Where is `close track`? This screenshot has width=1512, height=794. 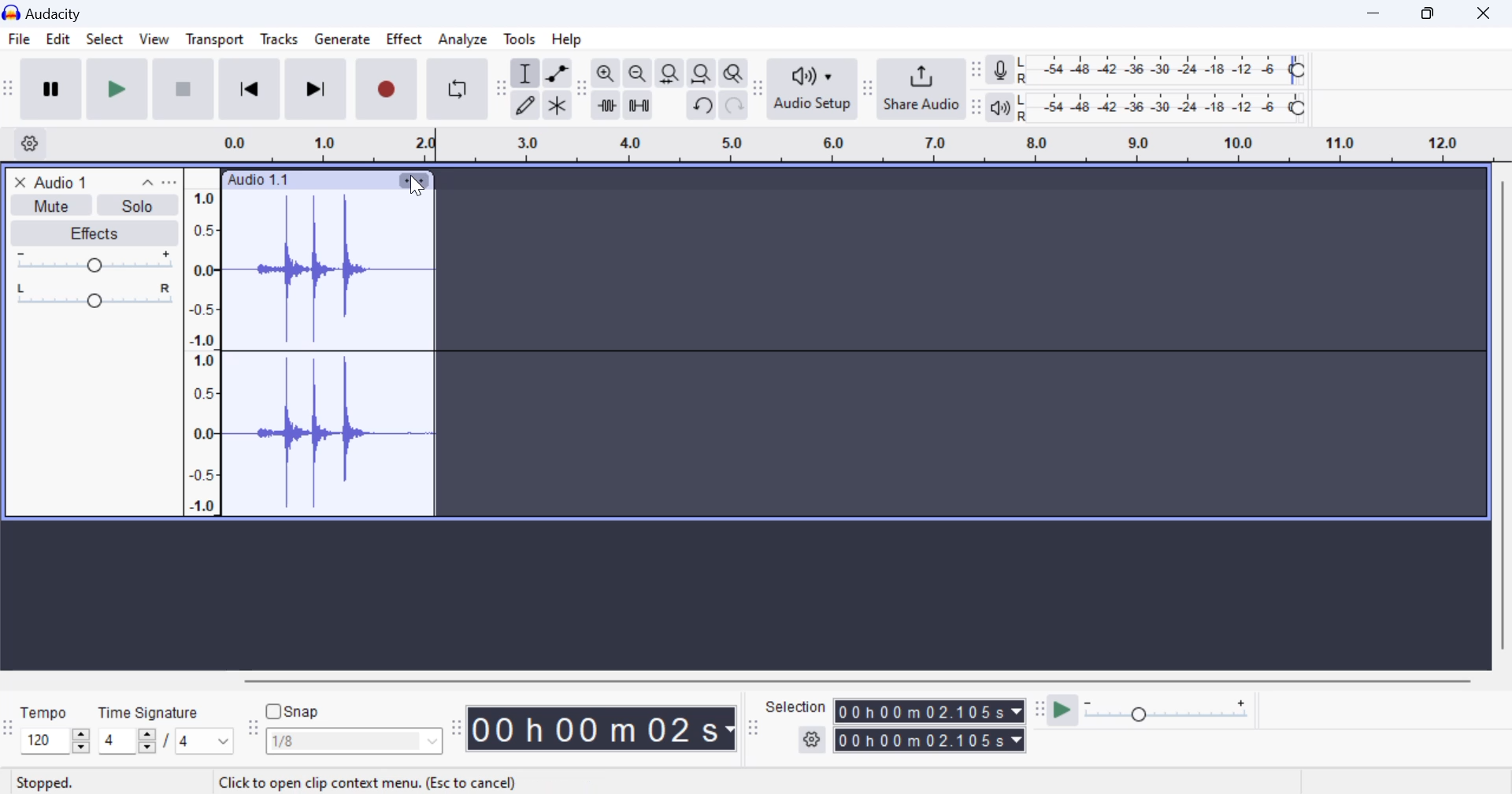 close track is located at coordinates (20, 181).